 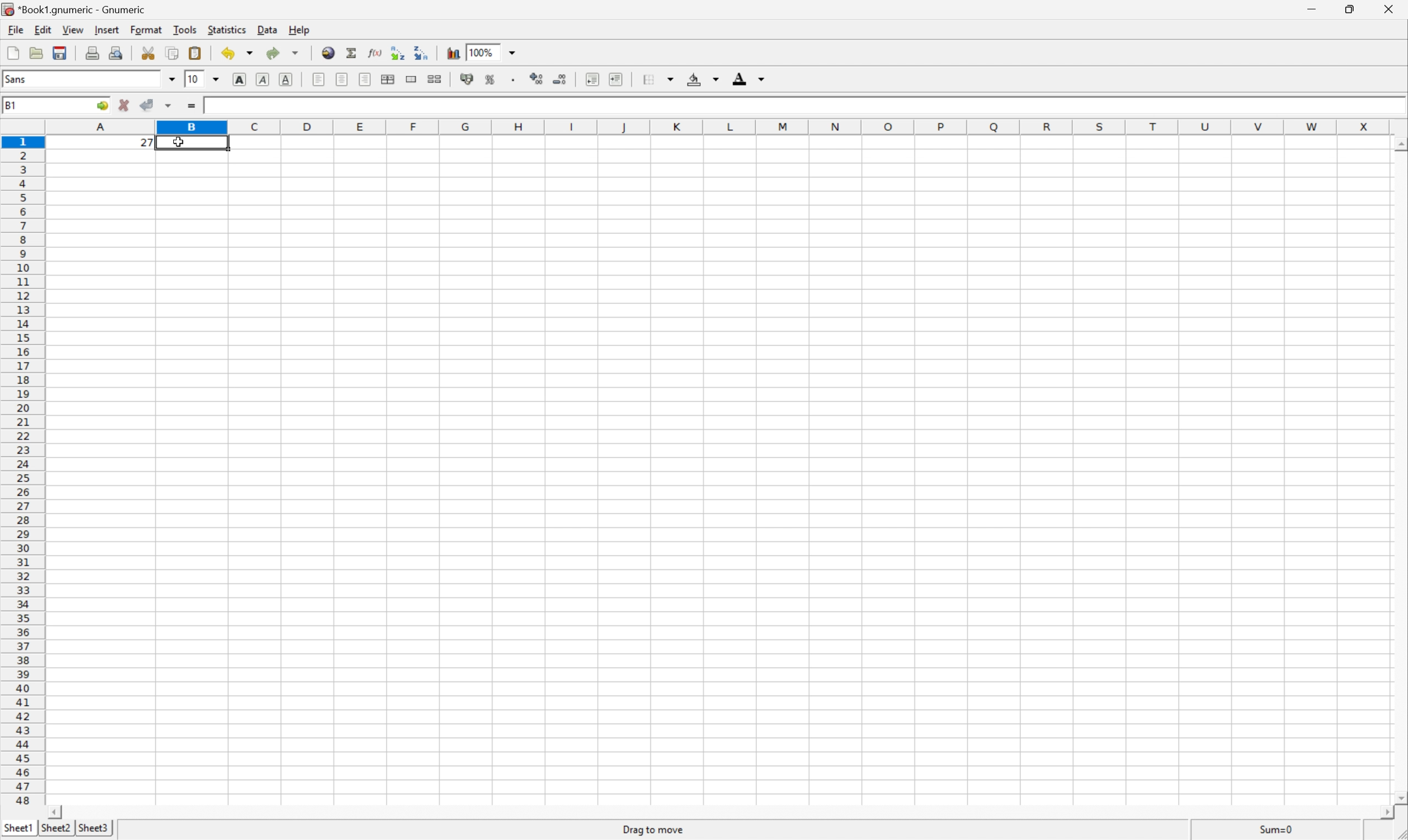 What do you see at coordinates (703, 79) in the screenshot?
I see `Background` at bounding box center [703, 79].